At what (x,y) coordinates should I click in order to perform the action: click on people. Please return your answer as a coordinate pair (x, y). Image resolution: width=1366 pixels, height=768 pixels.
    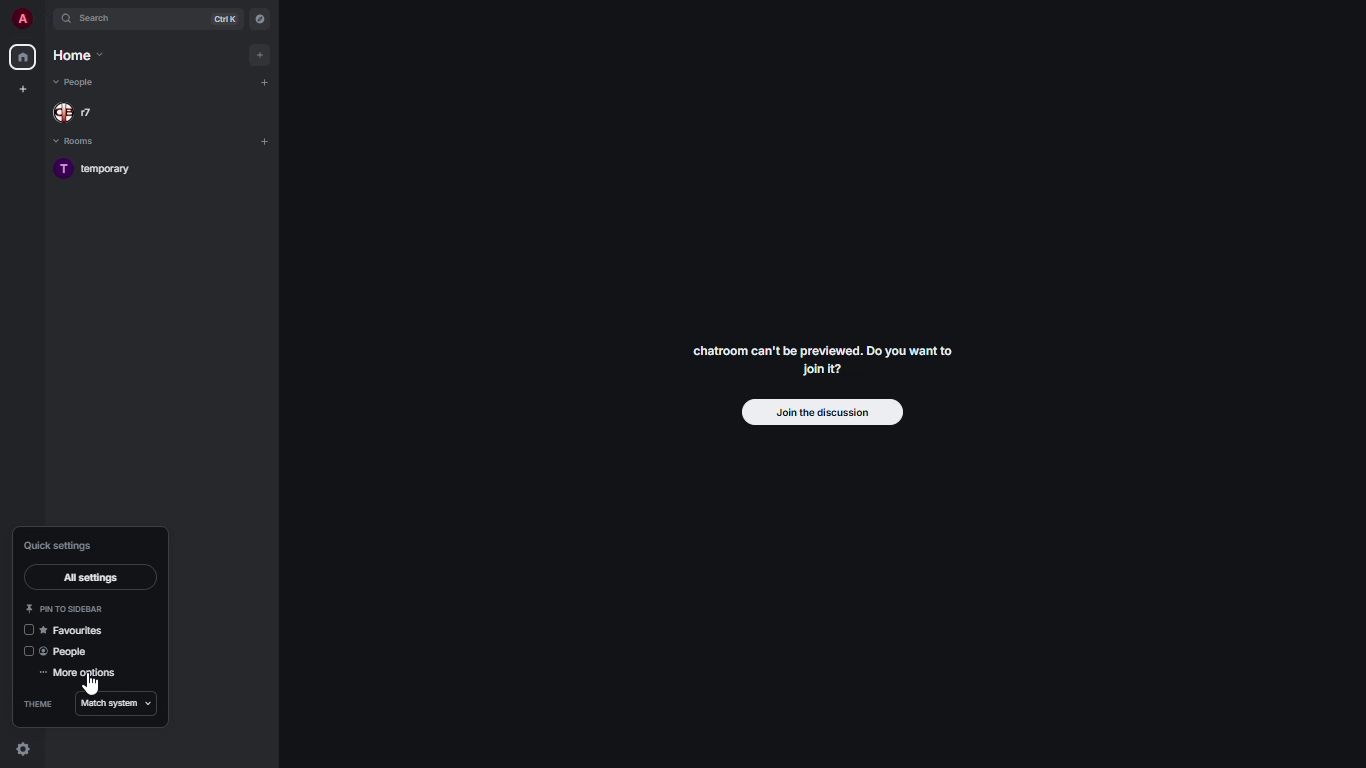
    Looking at the image, I should click on (76, 112).